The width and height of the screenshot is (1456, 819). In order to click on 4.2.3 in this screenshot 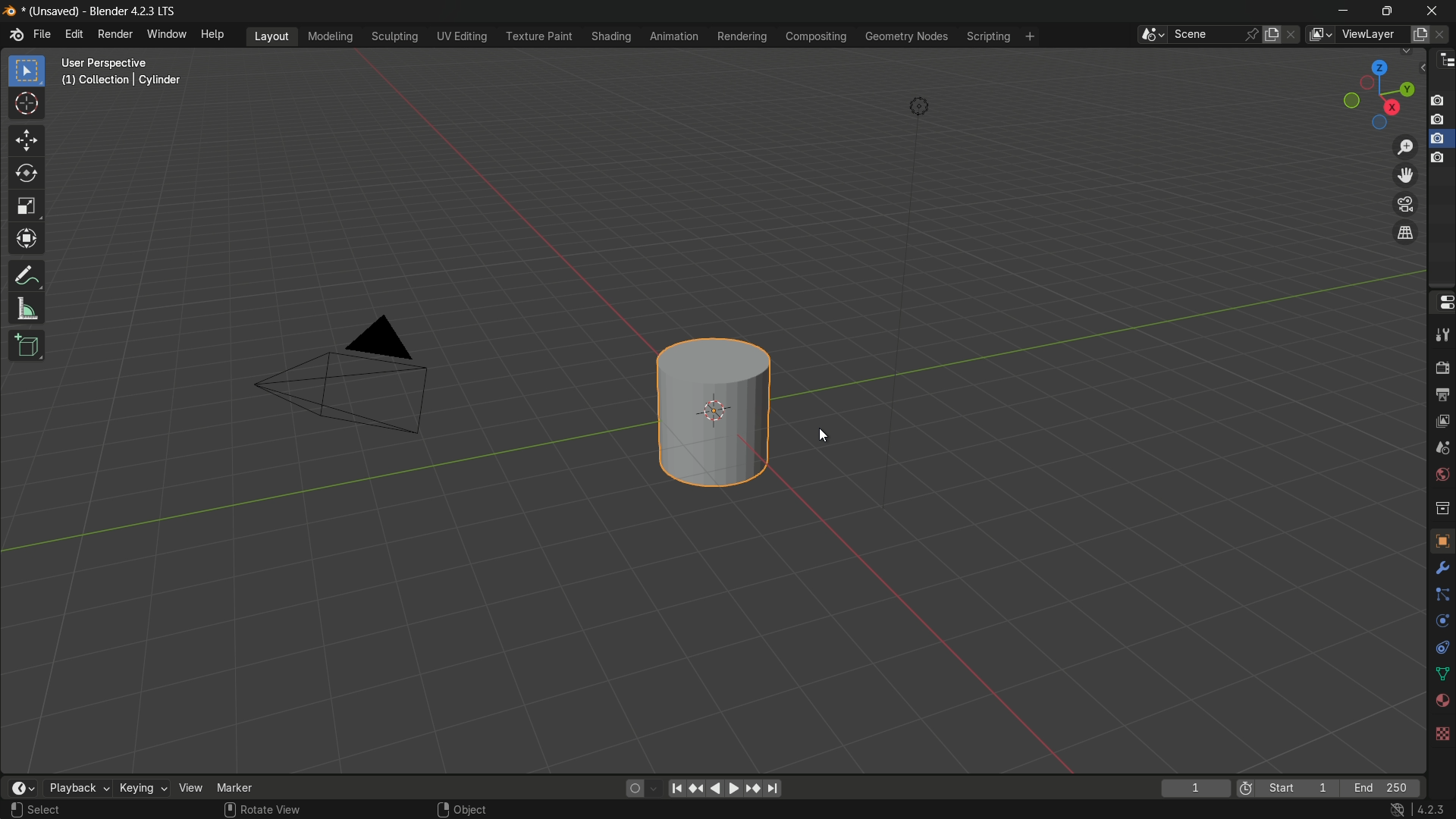, I will do `click(1433, 808)`.